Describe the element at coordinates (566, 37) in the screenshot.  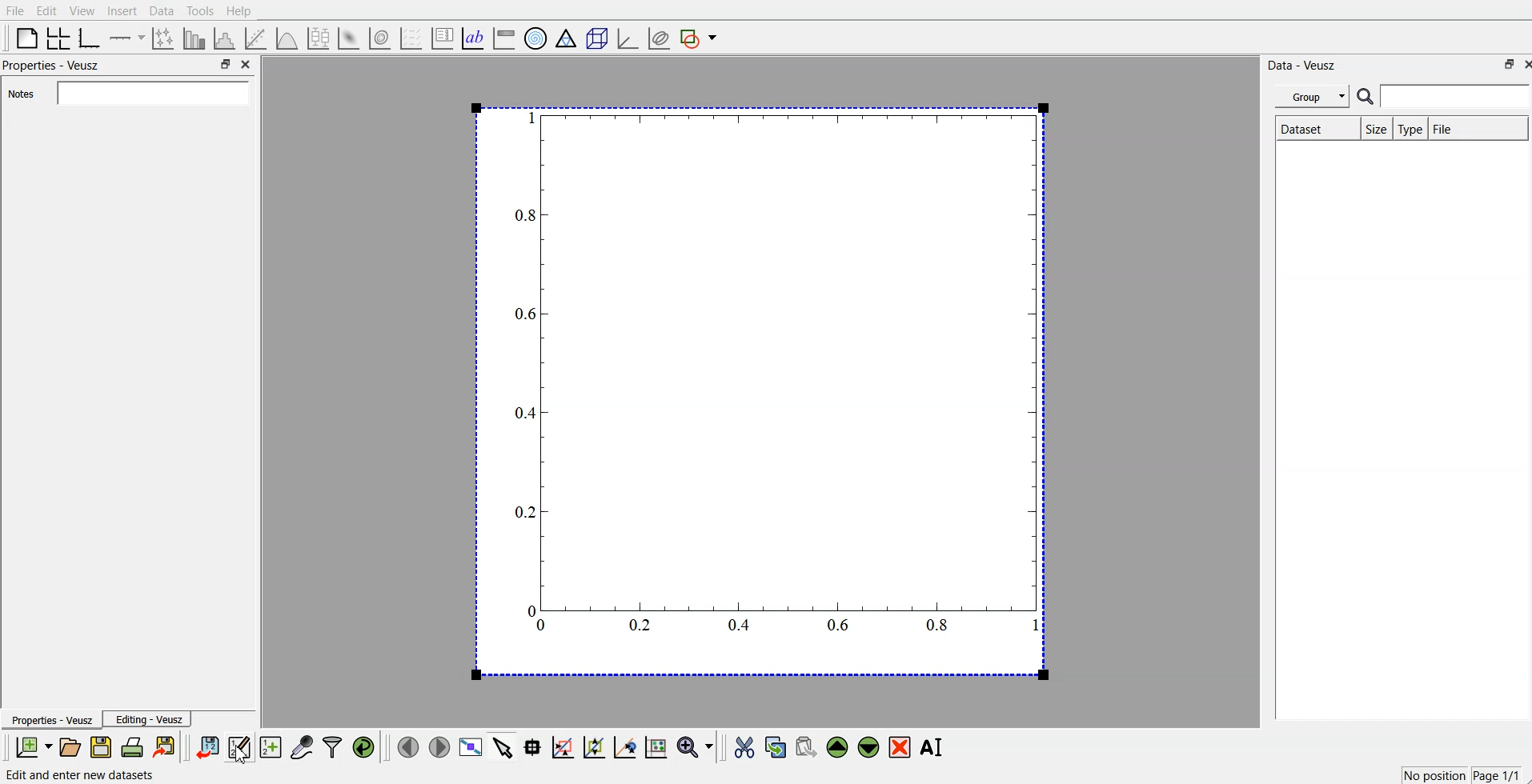
I see `ternary graph` at that location.